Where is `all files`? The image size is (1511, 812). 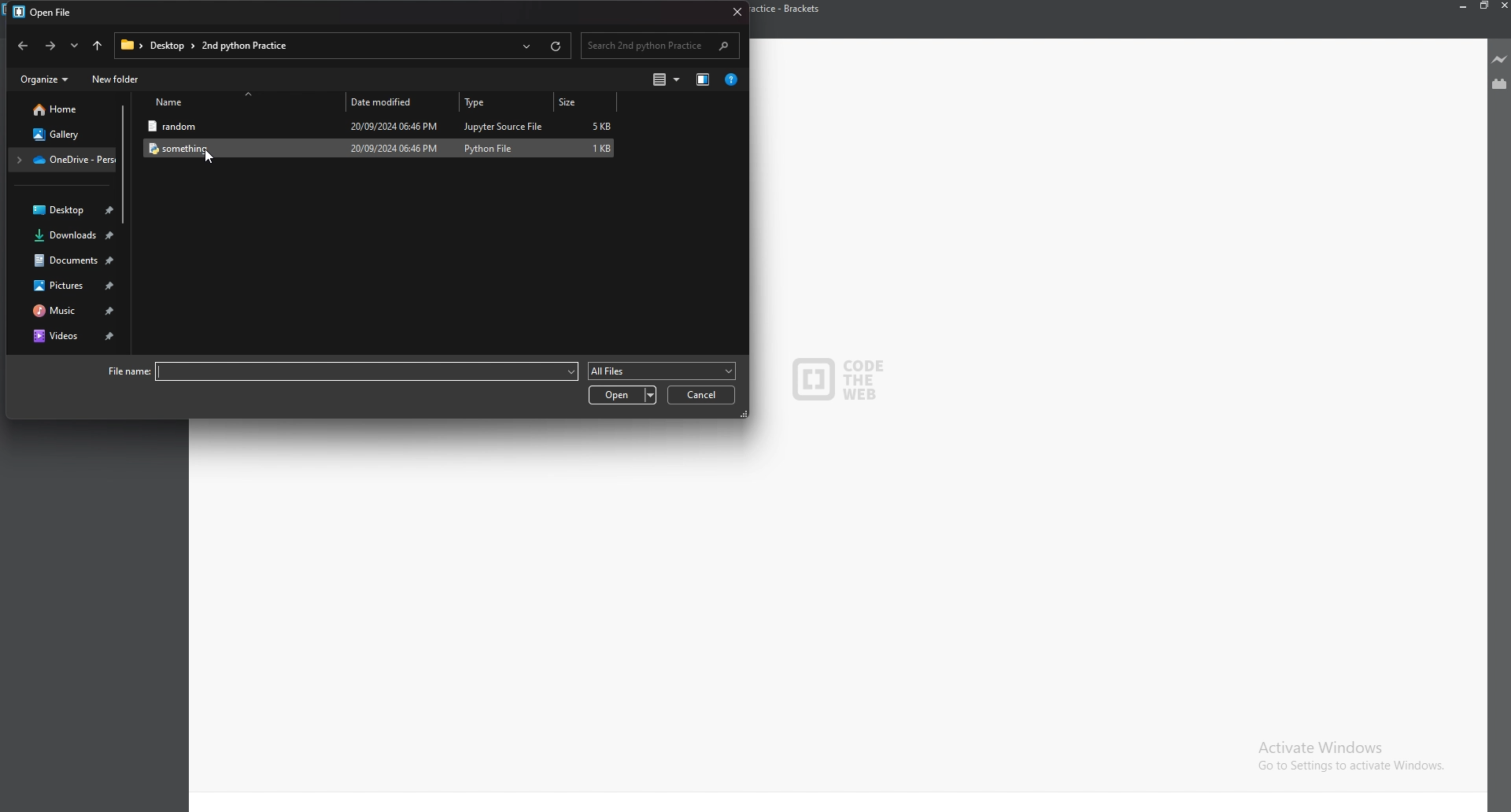 all files is located at coordinates (662, 371).